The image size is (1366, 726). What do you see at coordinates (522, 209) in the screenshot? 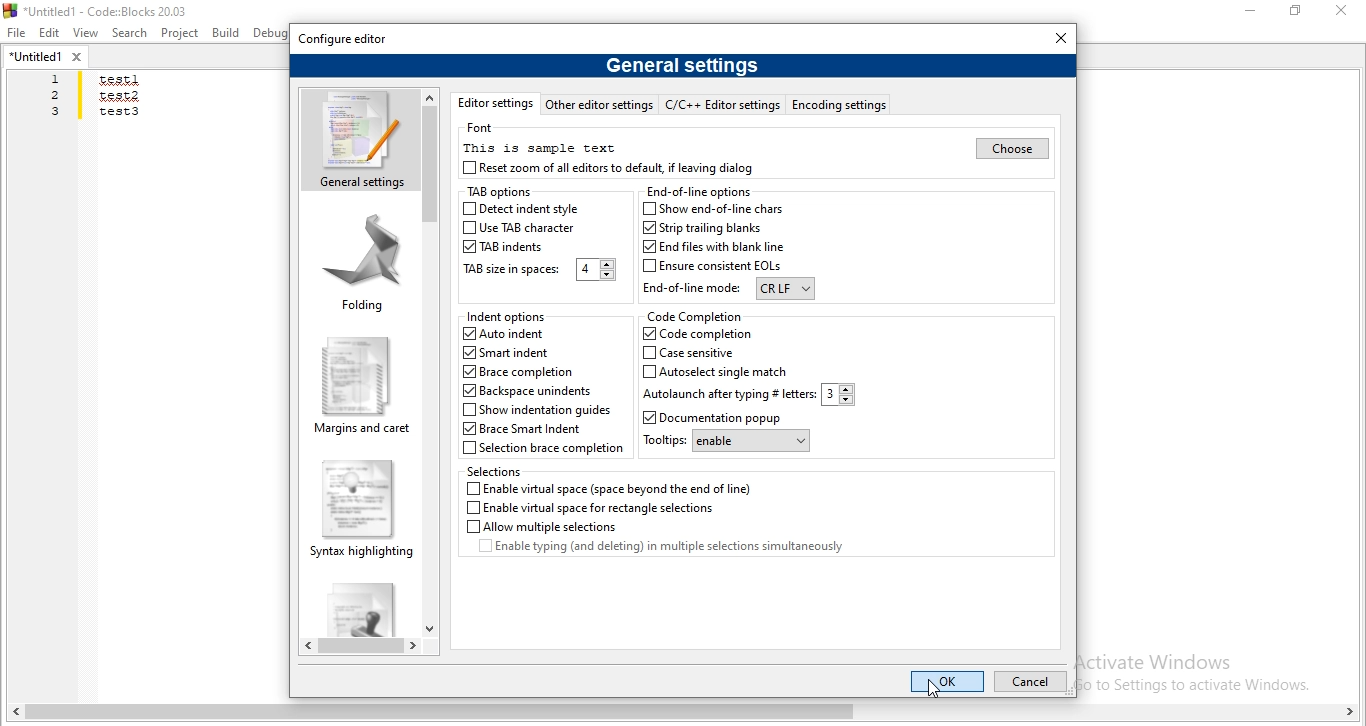
I see `Detect indent style` at bounding box center [522, 209].